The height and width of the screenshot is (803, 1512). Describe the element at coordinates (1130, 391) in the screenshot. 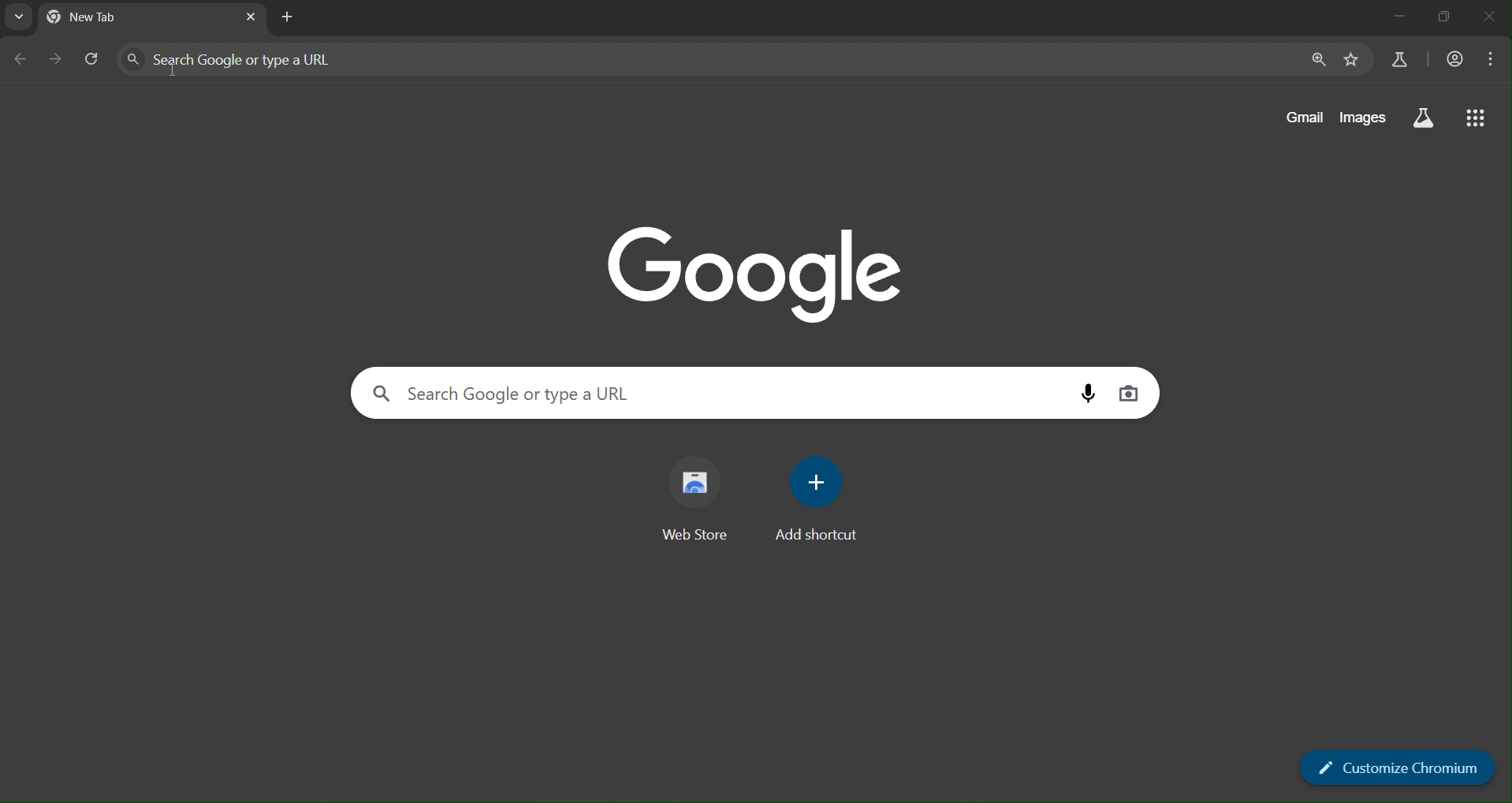

I see `image search` at that location.